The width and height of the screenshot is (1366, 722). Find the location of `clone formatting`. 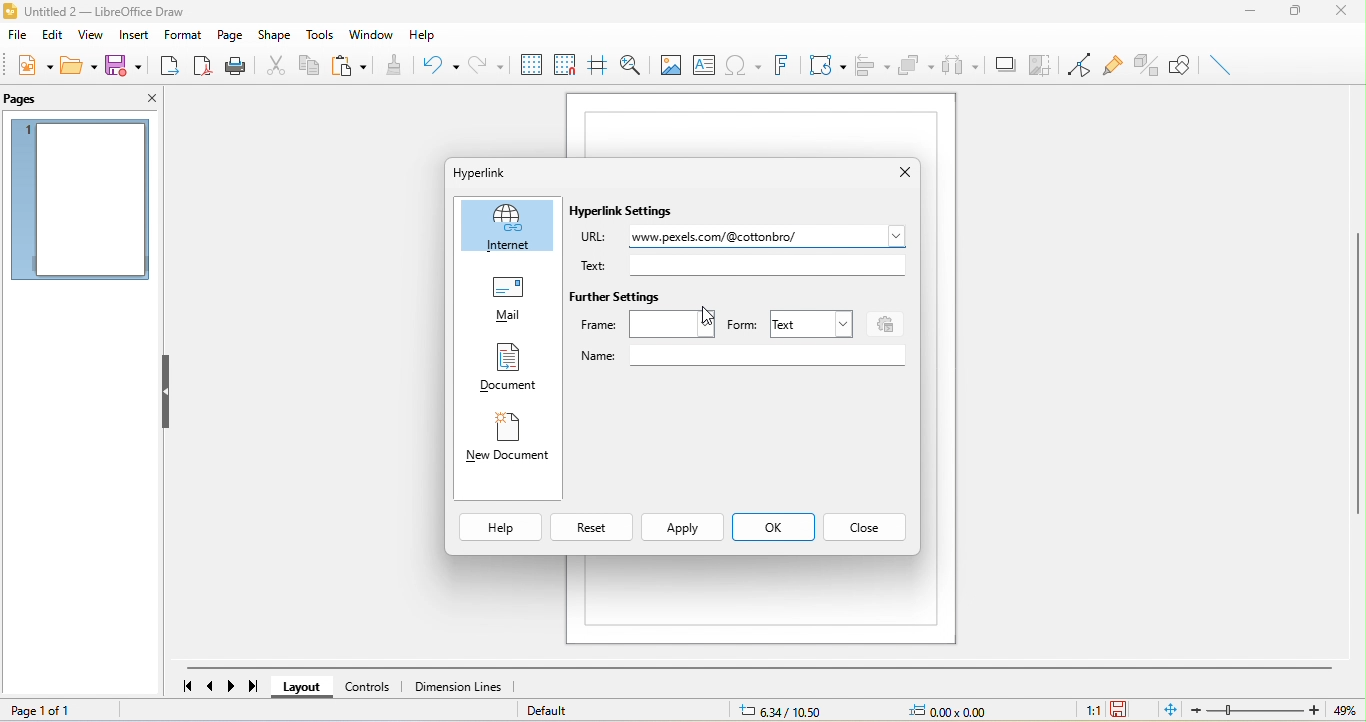

clone formatting is located at coordinates (398, 64).